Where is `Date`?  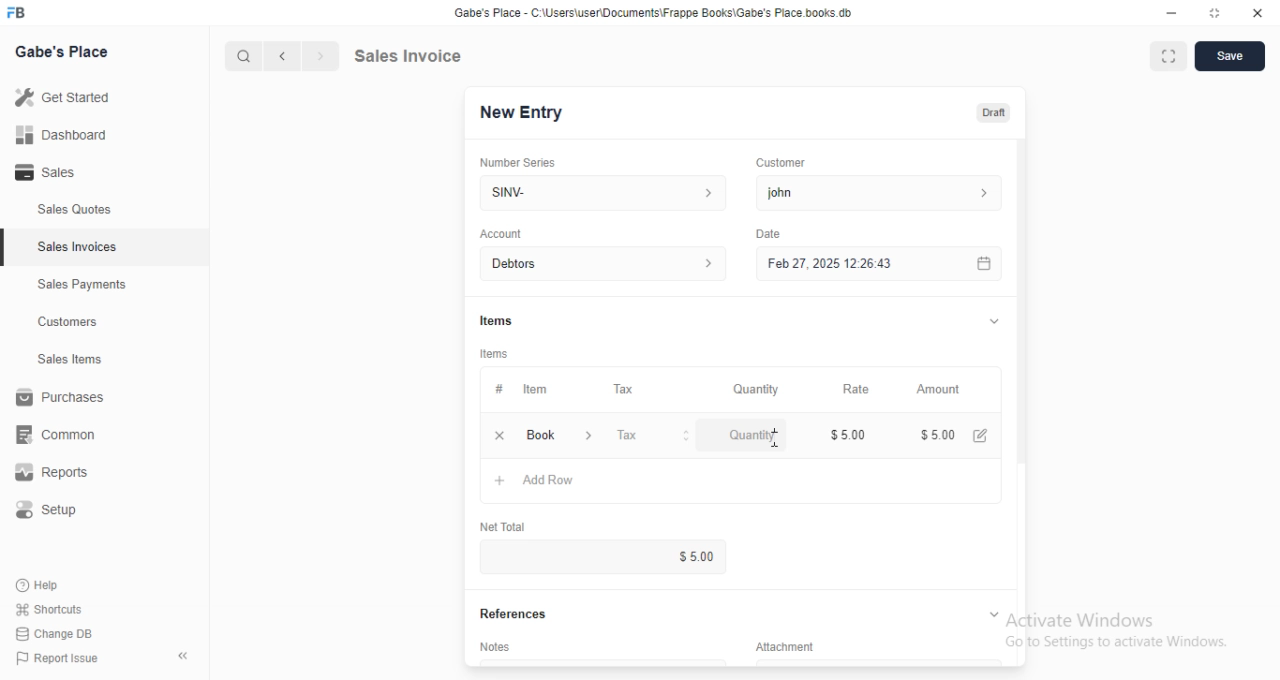
Date is located at coordinates (770, 232).